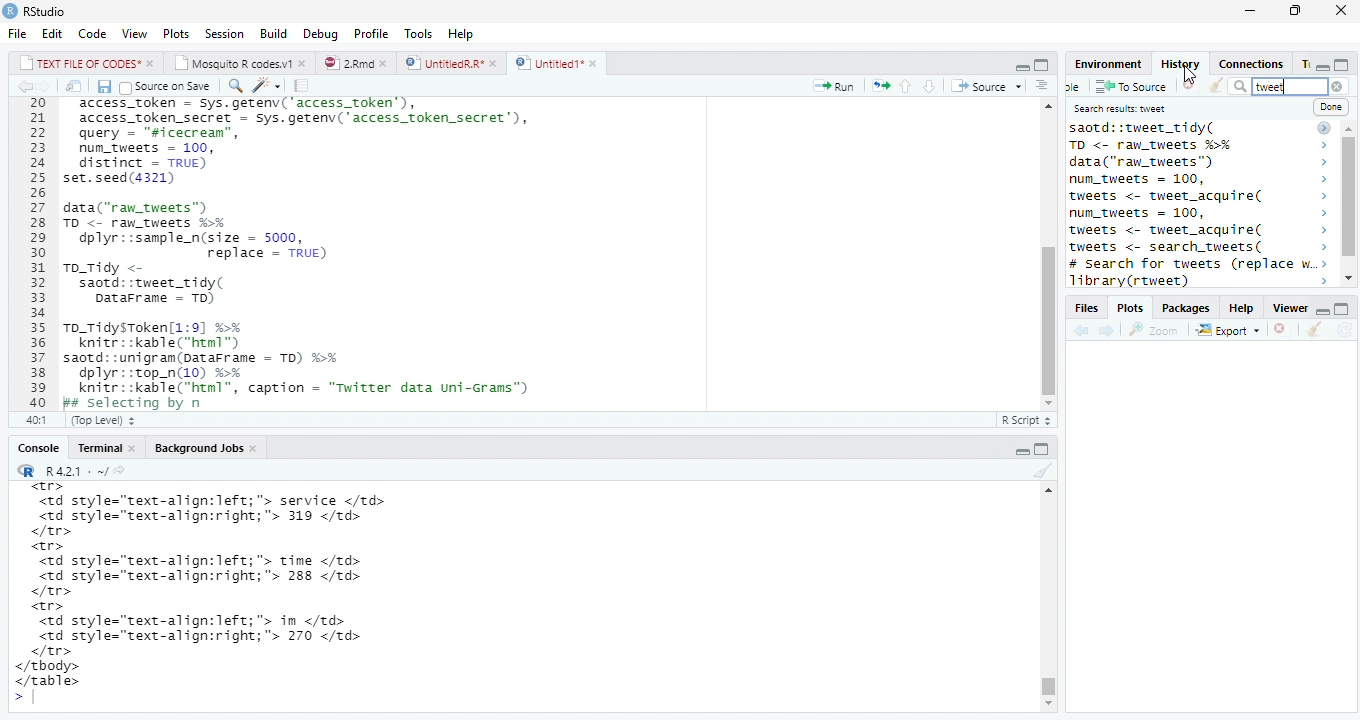  What do you see at coordinates (1104, 86) in the screenshot?
I see `save` at bounding box center [1104, 86].